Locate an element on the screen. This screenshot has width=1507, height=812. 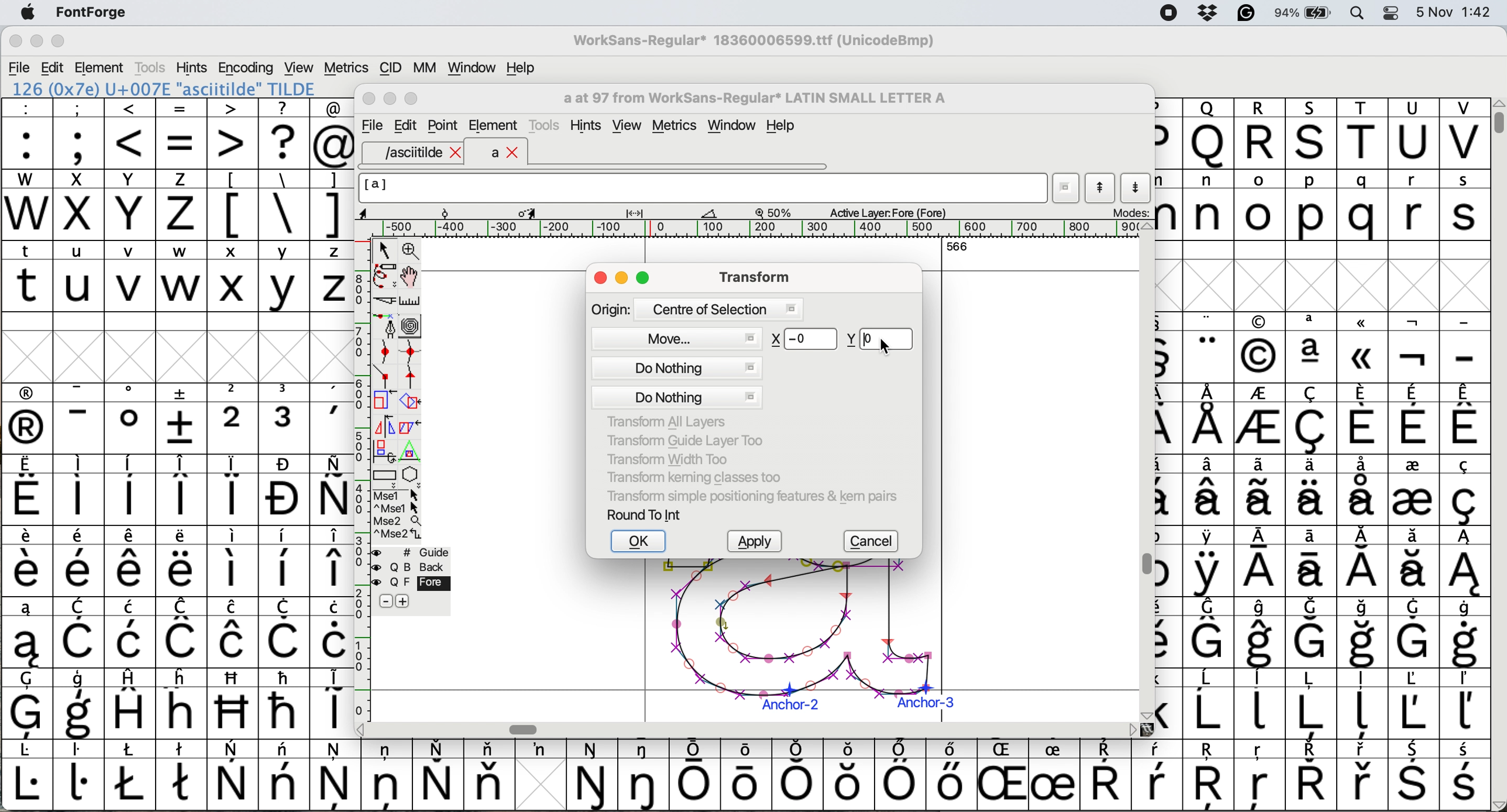
transform is located at coordinates (751, 276).